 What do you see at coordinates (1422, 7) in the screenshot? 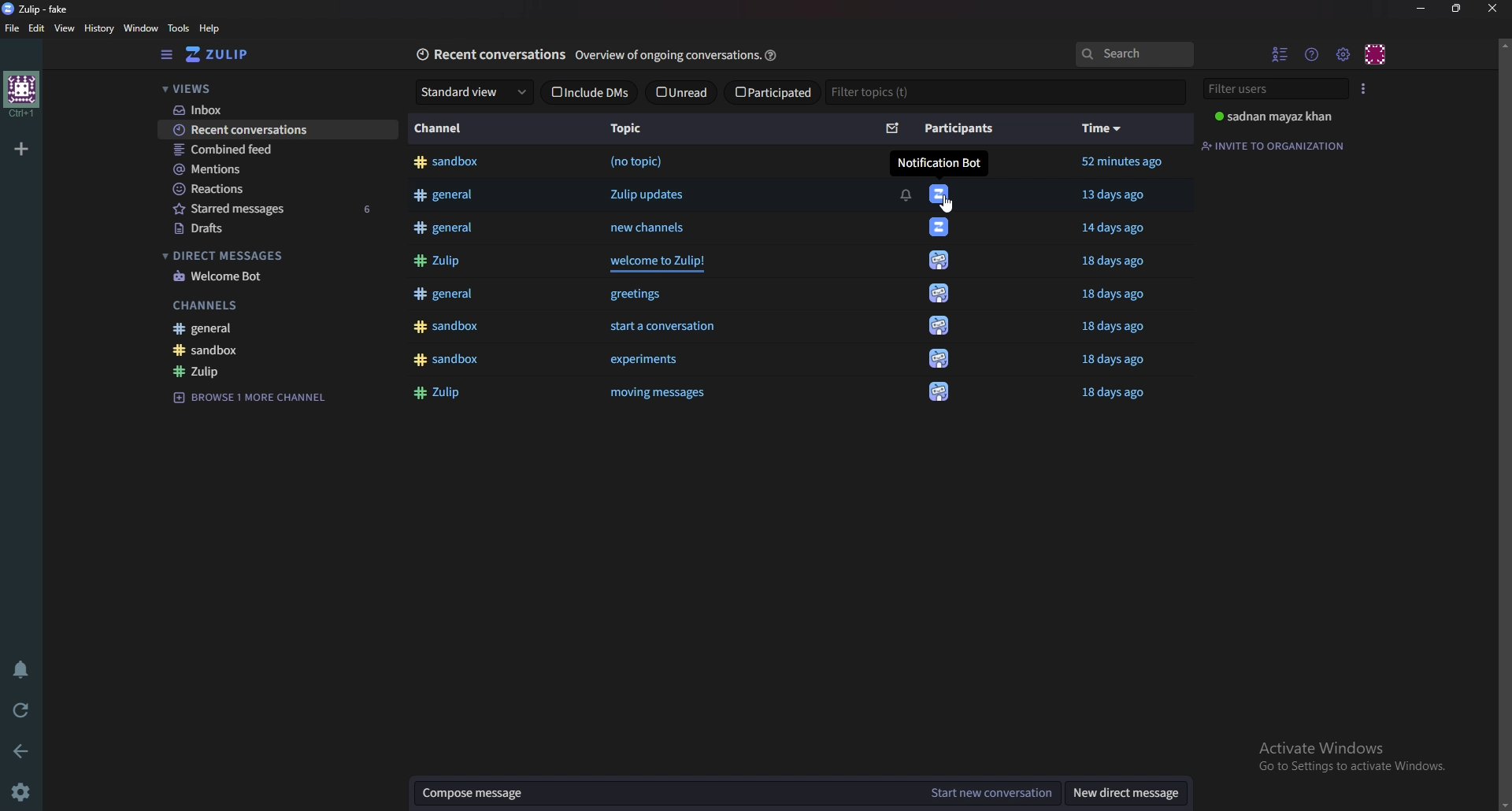
I see `Minimize` at bounding box center [1422, 7].